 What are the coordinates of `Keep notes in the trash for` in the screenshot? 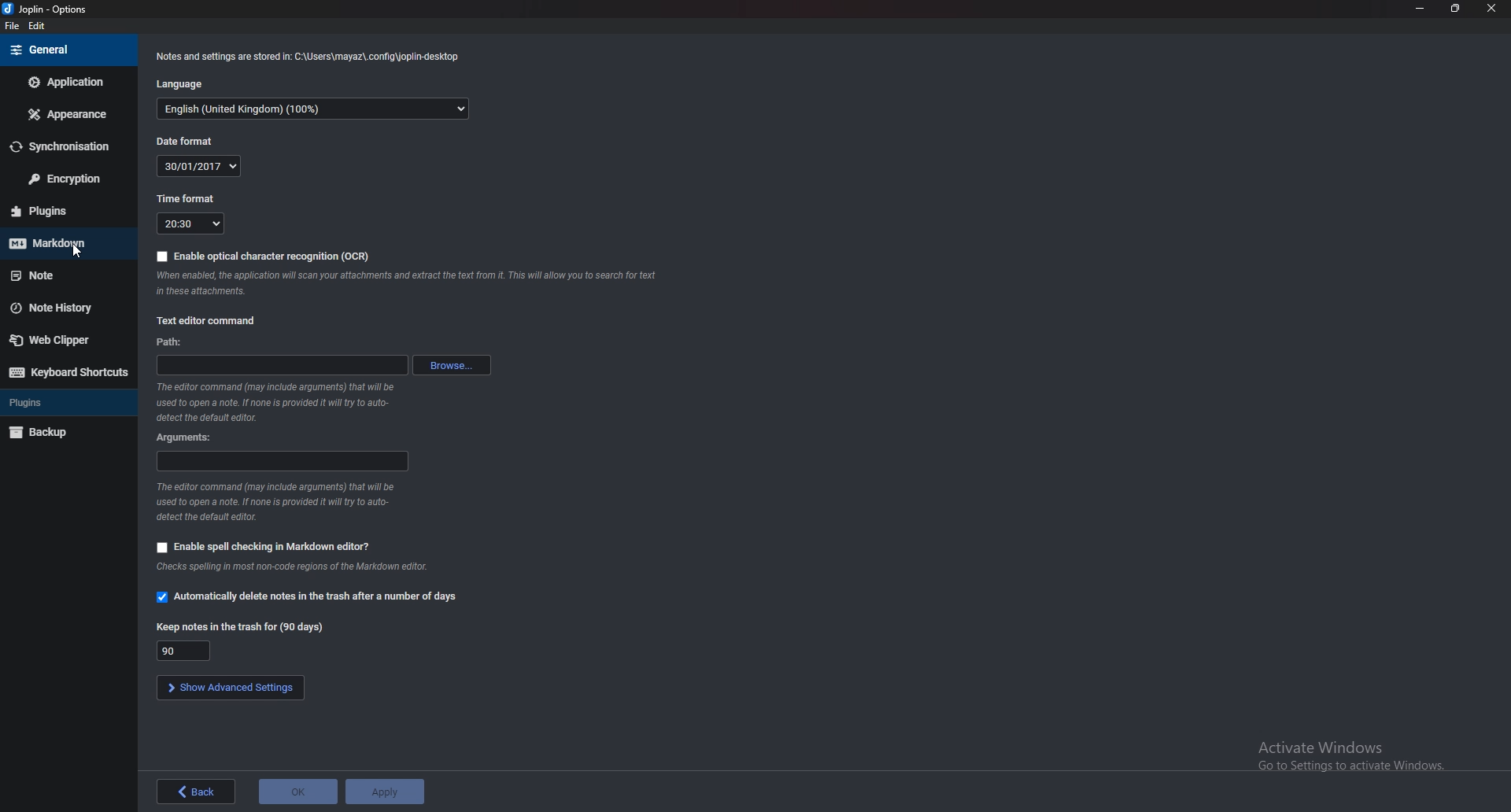 It's located at (242, 626).